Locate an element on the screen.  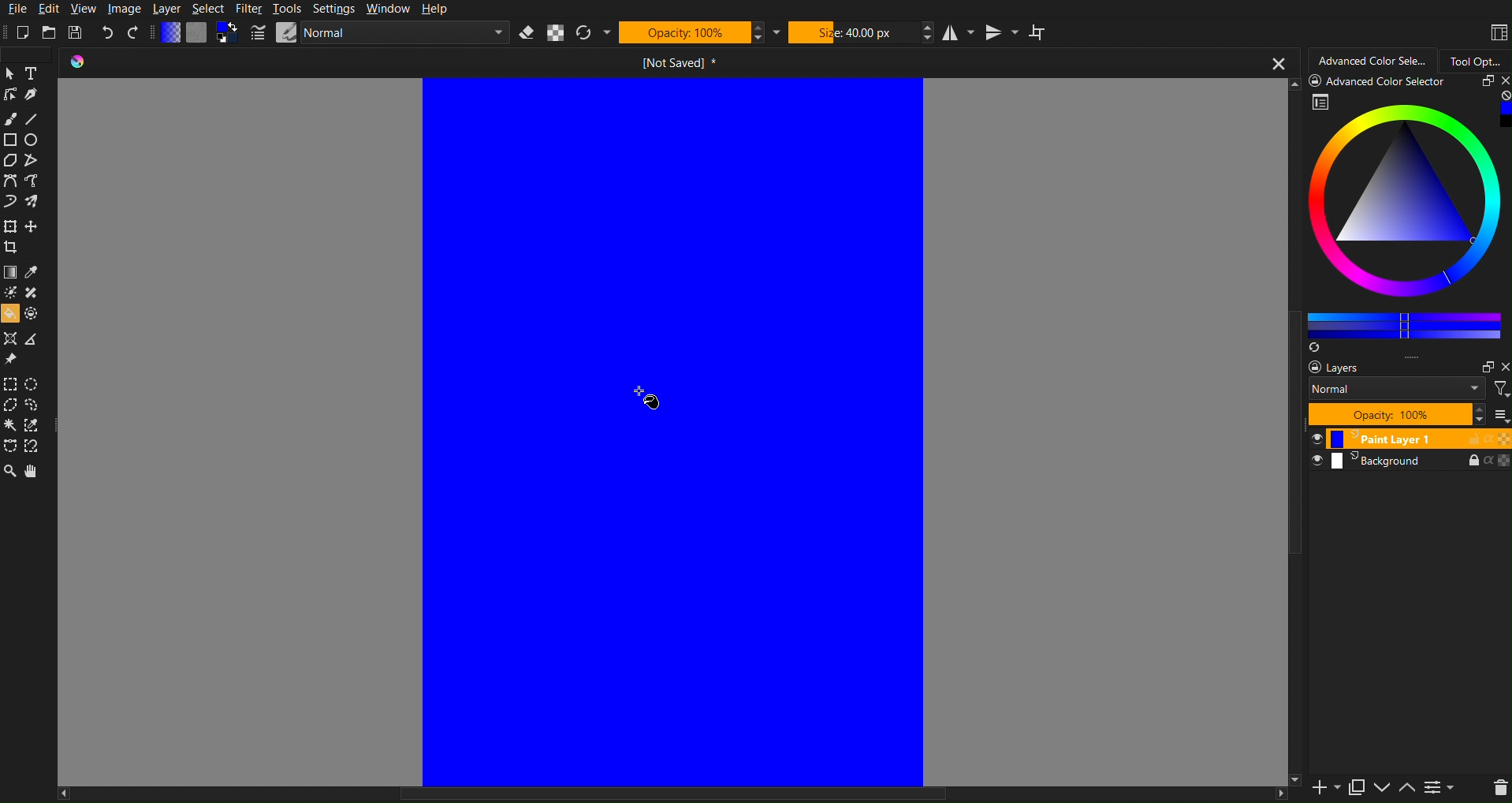
layers is located at coordinates (1327, 367).